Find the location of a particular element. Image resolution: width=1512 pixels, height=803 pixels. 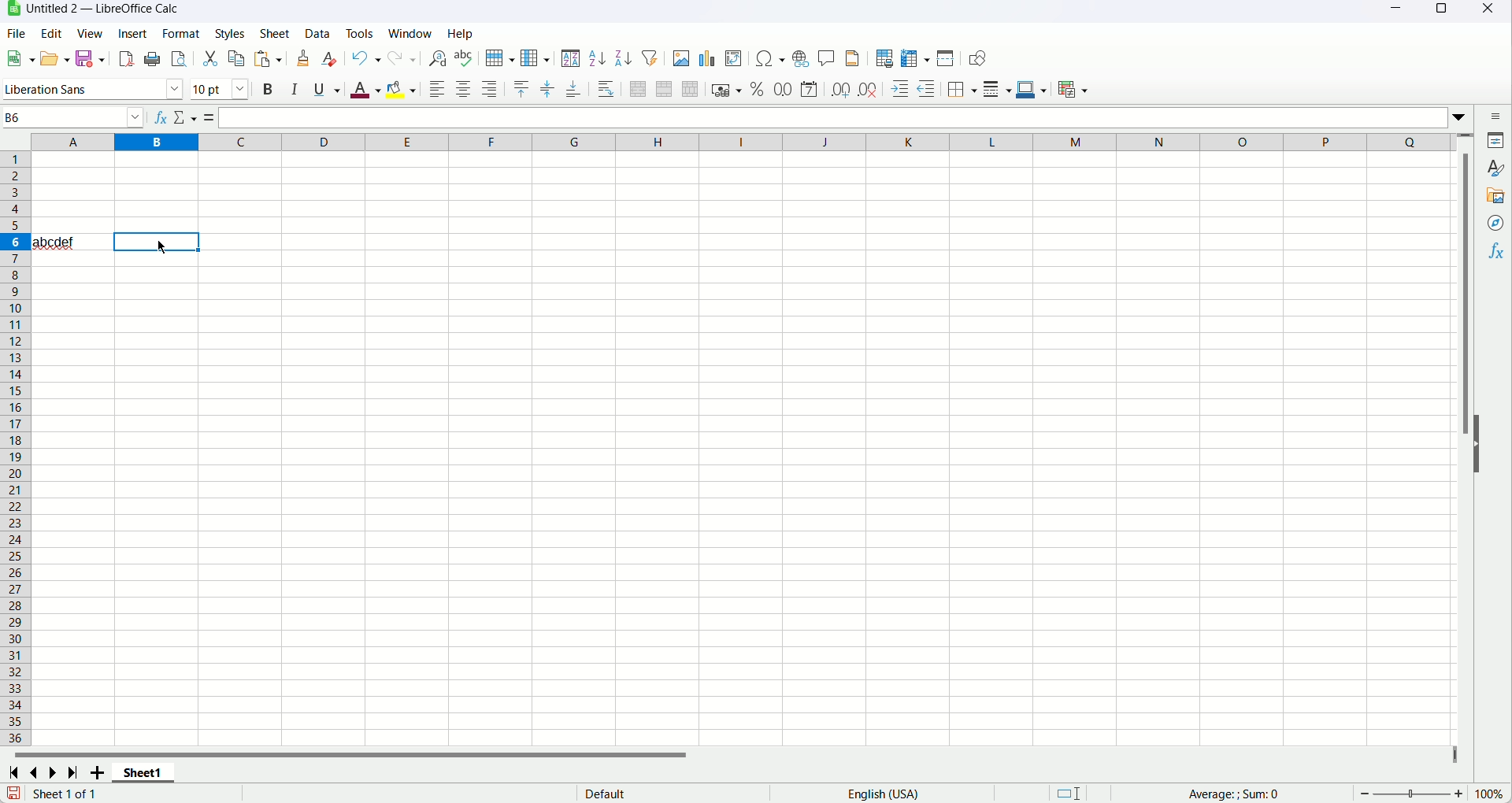

insert is located at coordinates (132, 32).